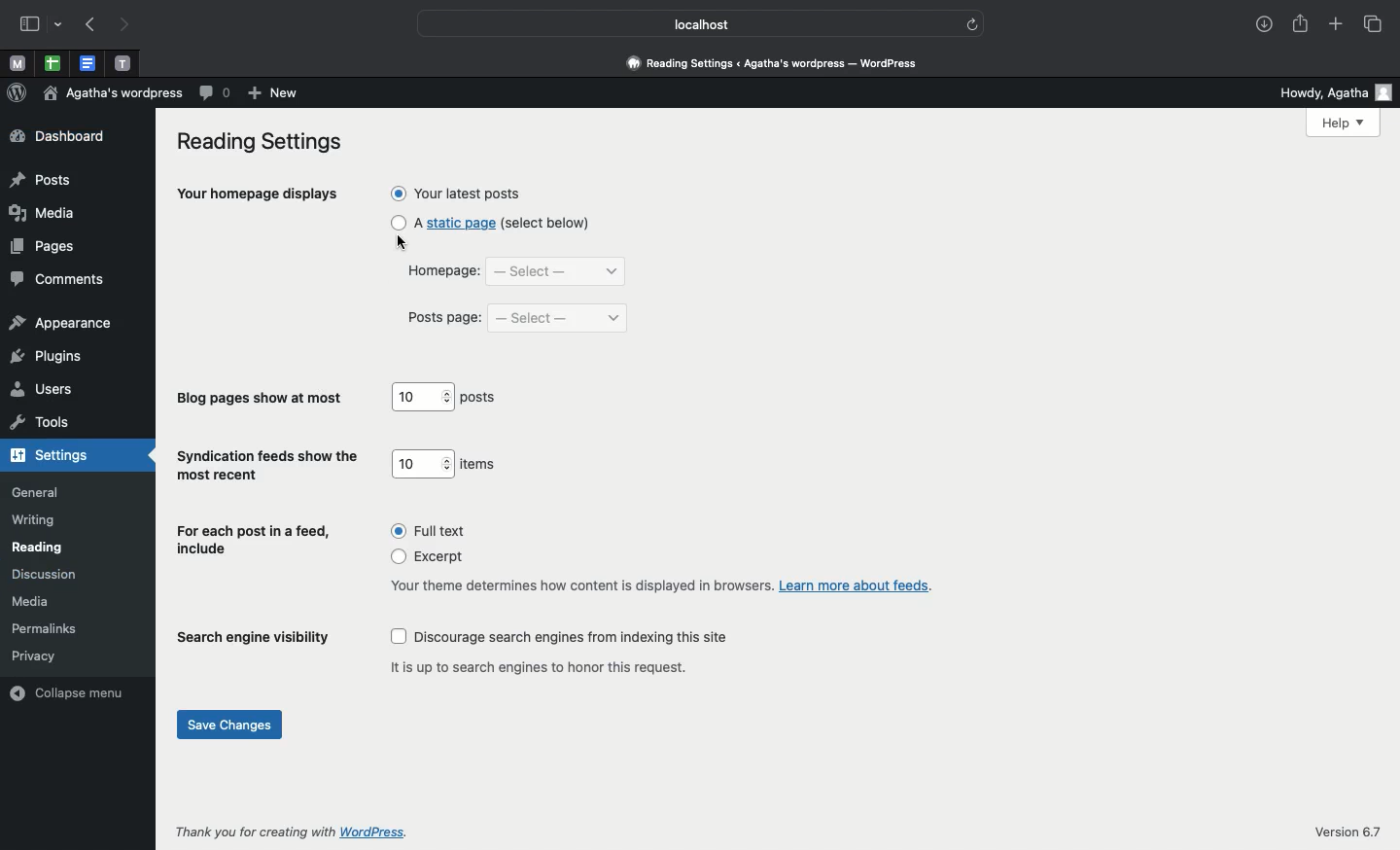 This screenshot has width=1400, height=850. What do you see at coordinates (259, 196) in the screenshot?
I see `Your homepage displays` at bounding box center [259, 196].